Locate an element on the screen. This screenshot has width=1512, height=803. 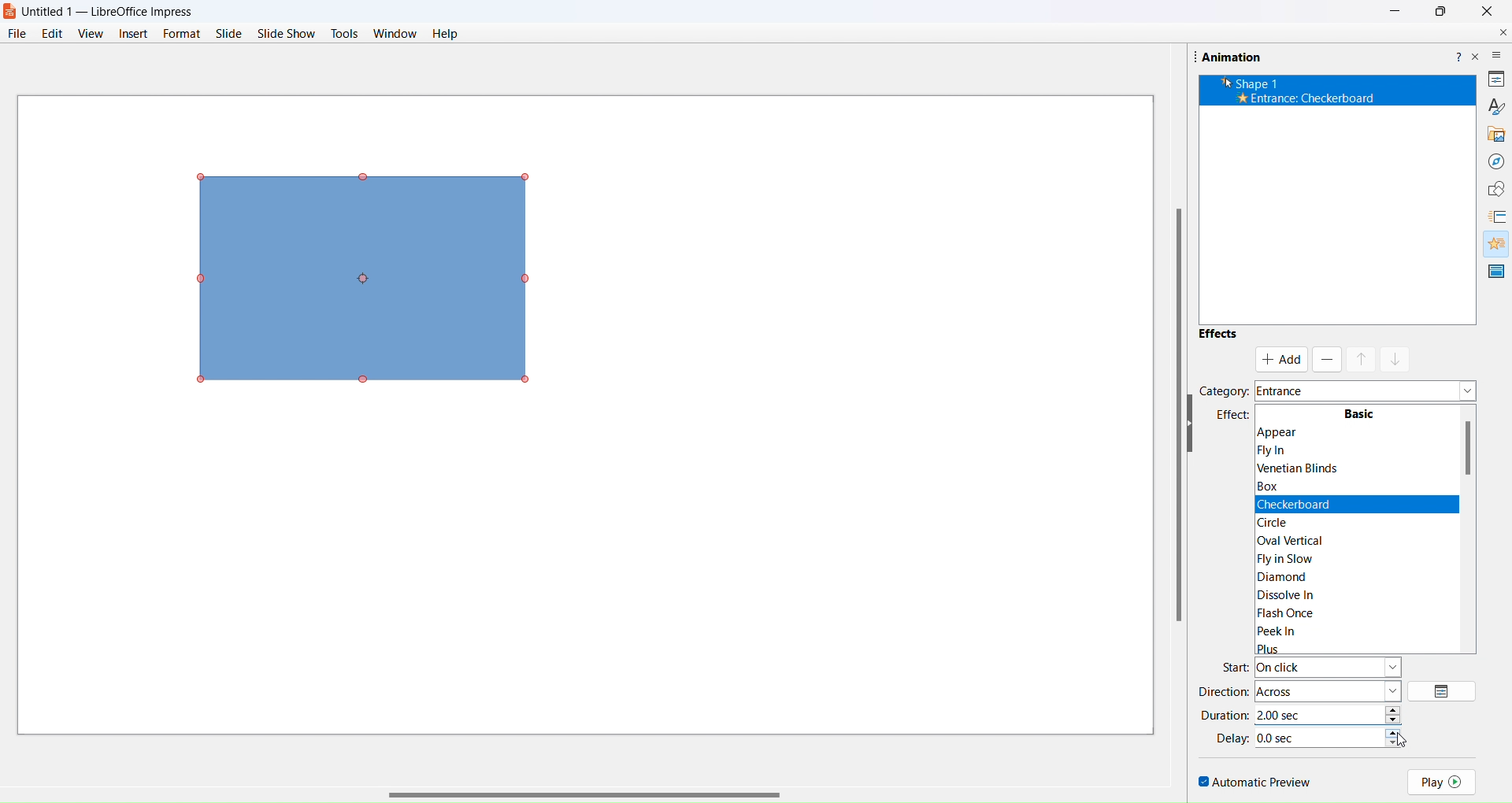
help is located at coordinates (445, 35).